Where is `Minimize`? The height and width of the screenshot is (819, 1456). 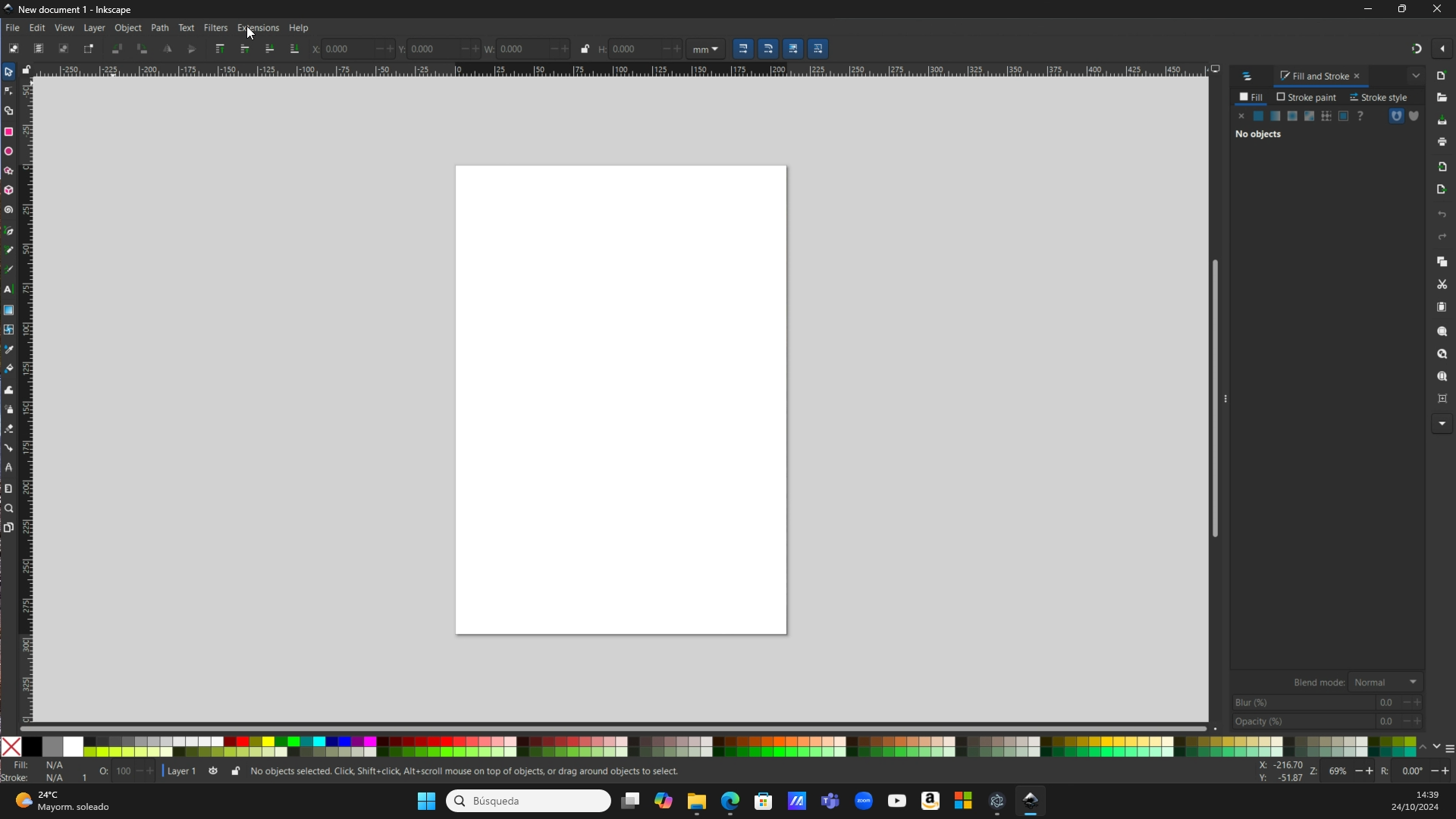 Minimize is located at coordinates (1370, 11).